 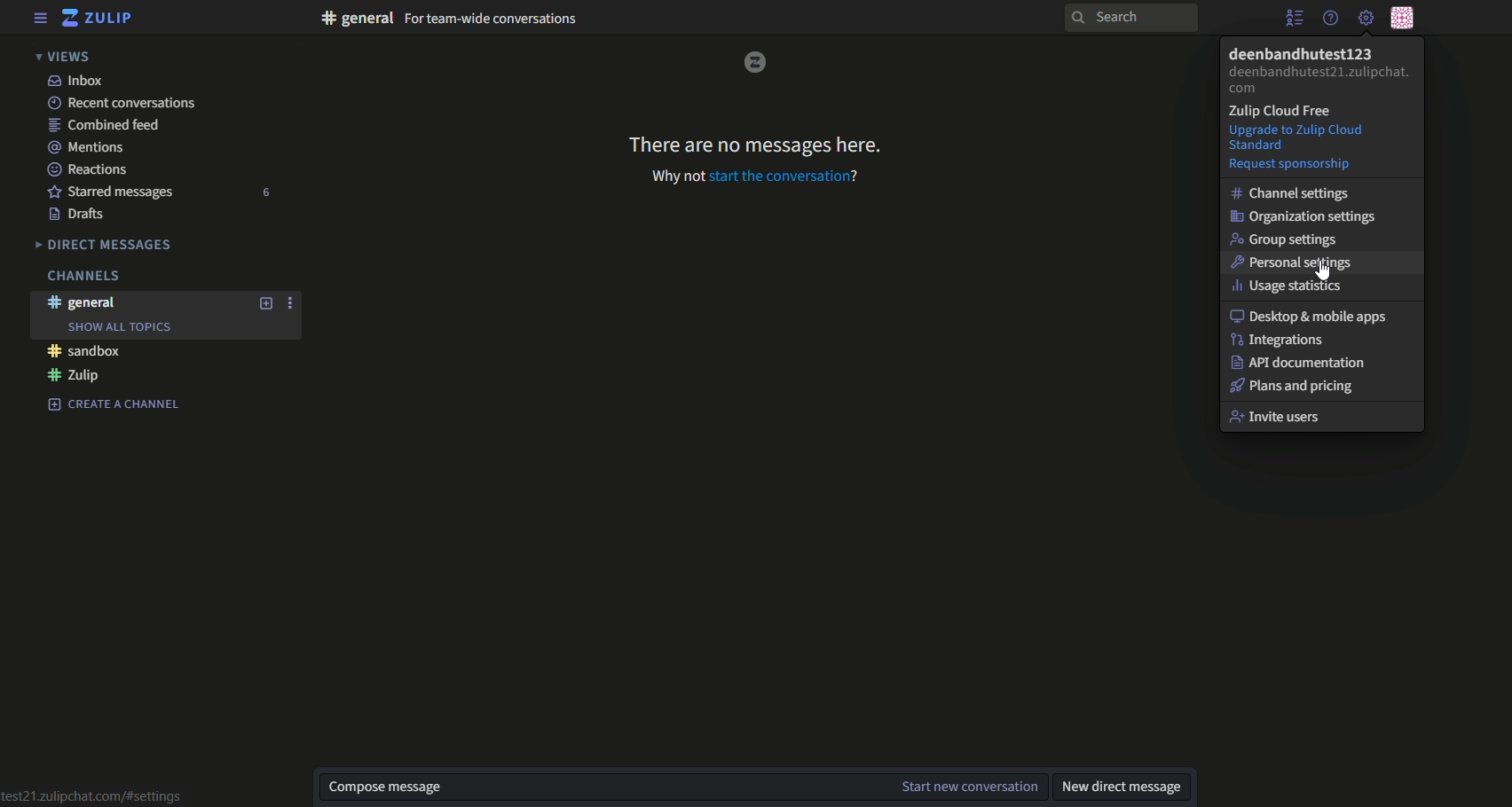 I want to click on Personal Settings, so click(x=1302, y=263).